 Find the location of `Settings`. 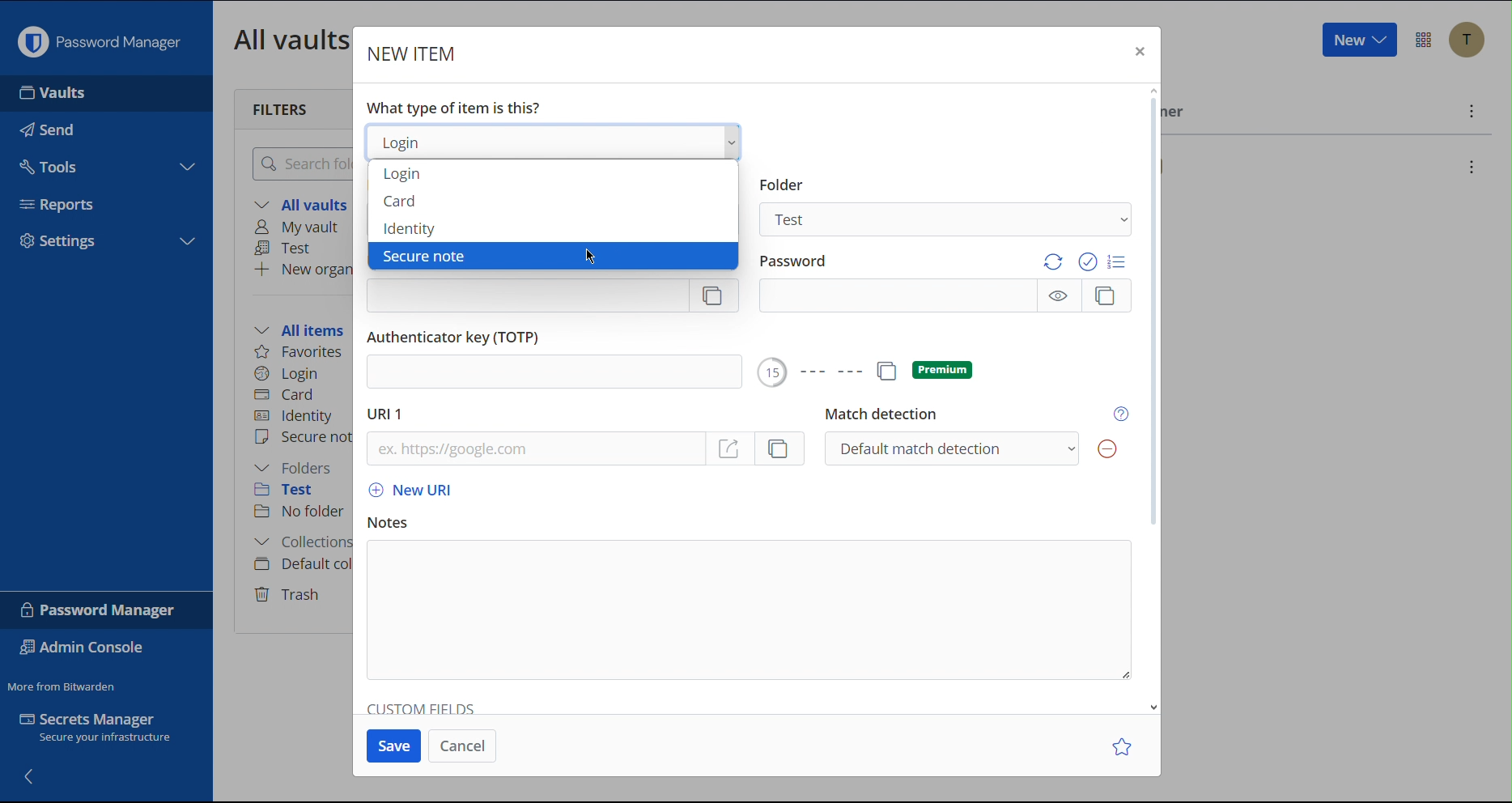

Settings is located at coordinates (104, 243).